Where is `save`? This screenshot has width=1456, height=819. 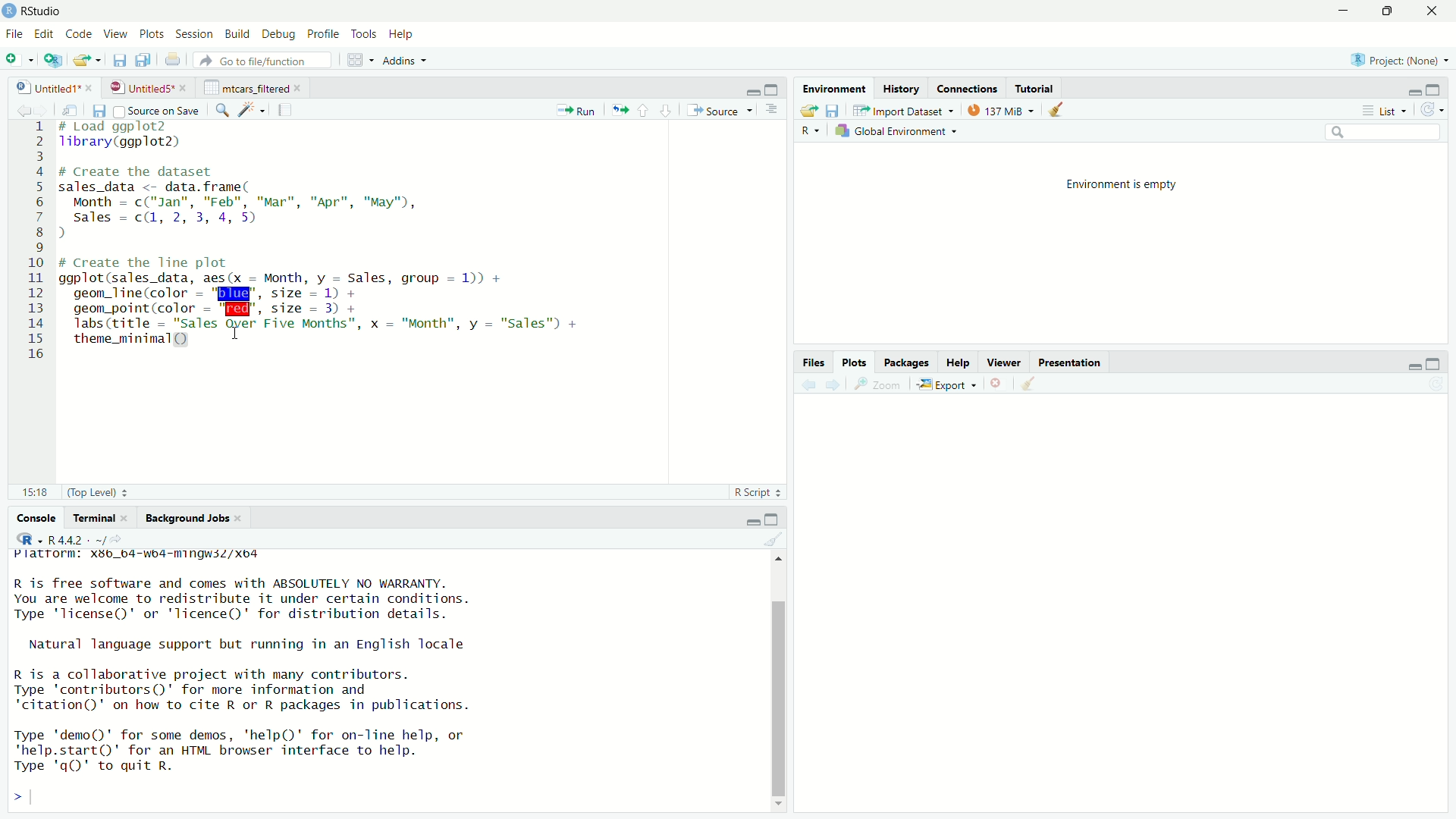
save is located at coordinates (101, 111).